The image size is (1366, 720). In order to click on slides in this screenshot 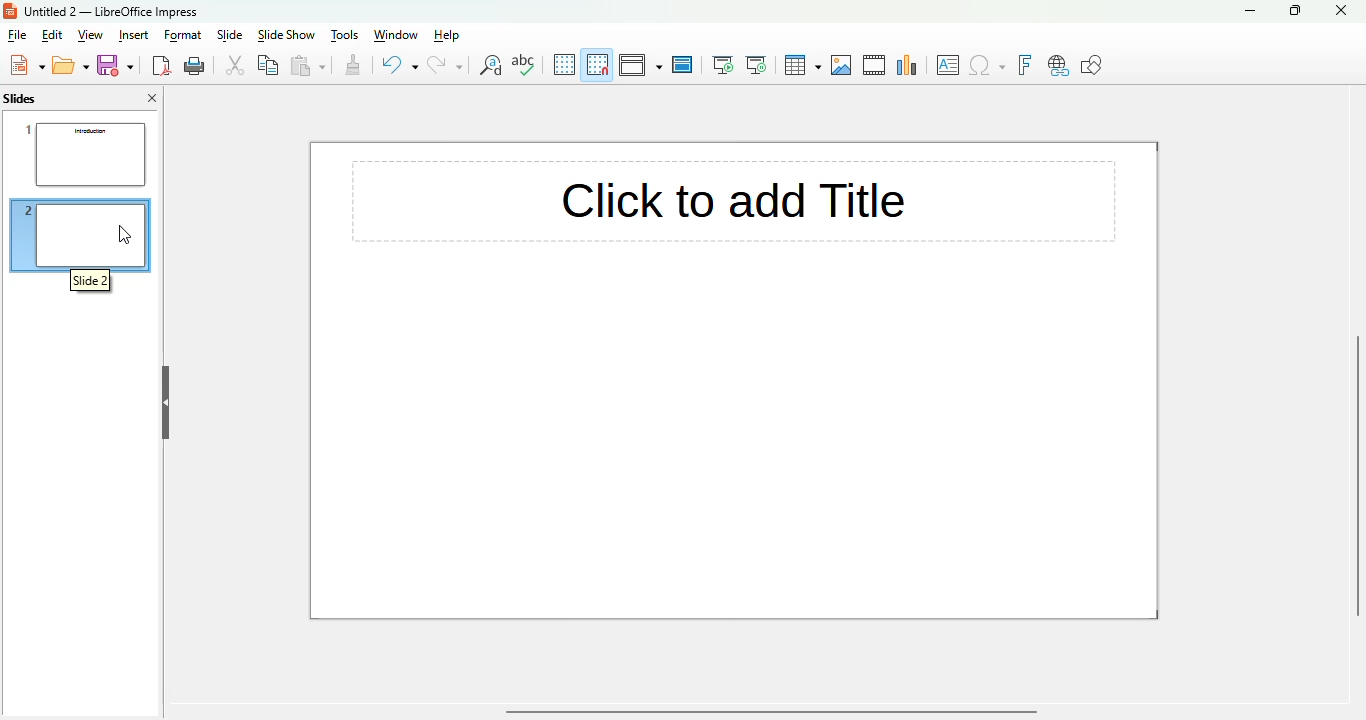, I will do `click(20, 98)`.